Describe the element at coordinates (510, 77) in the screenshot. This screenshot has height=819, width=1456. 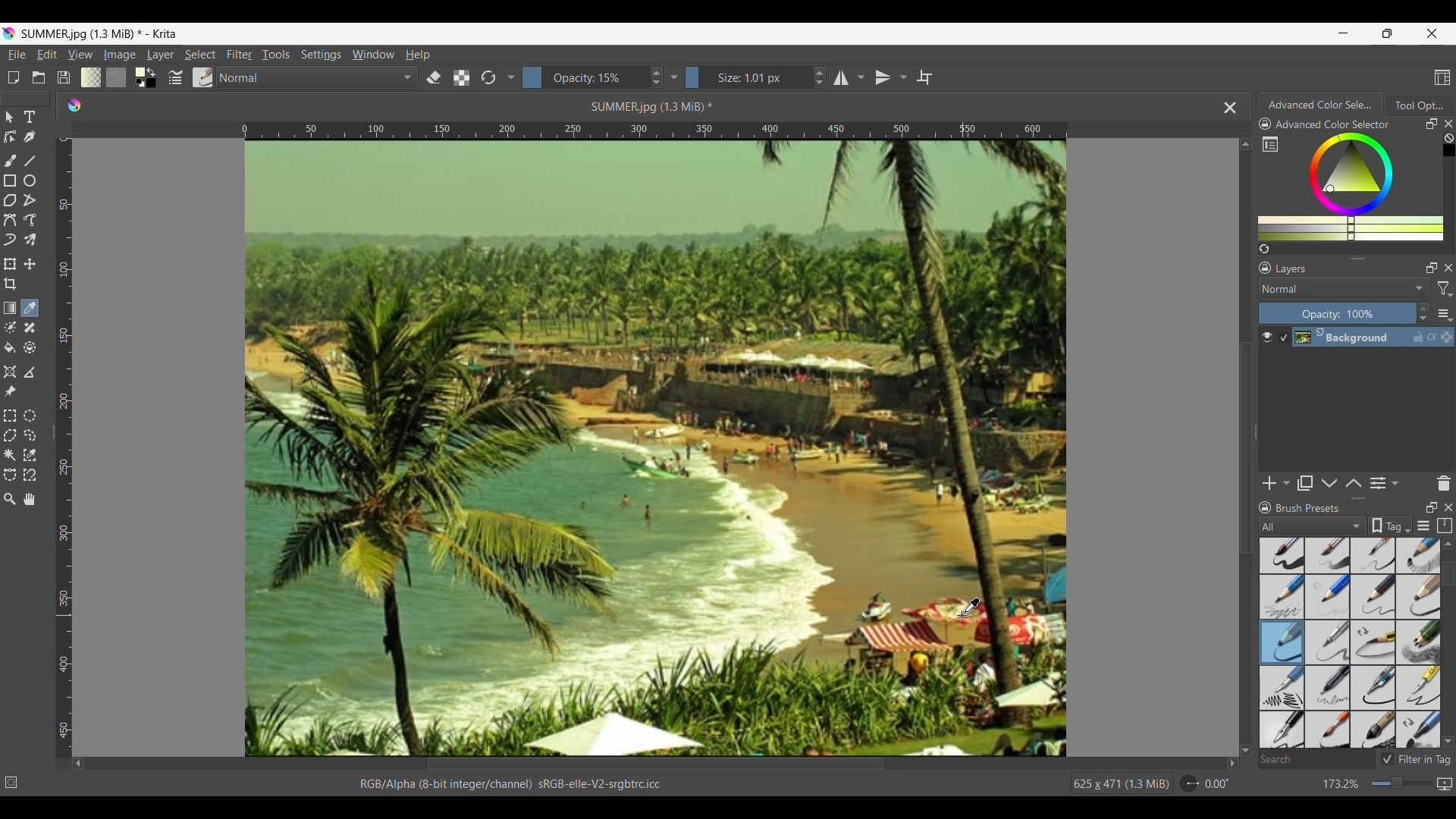
I see `Settings dropdown` at that location.